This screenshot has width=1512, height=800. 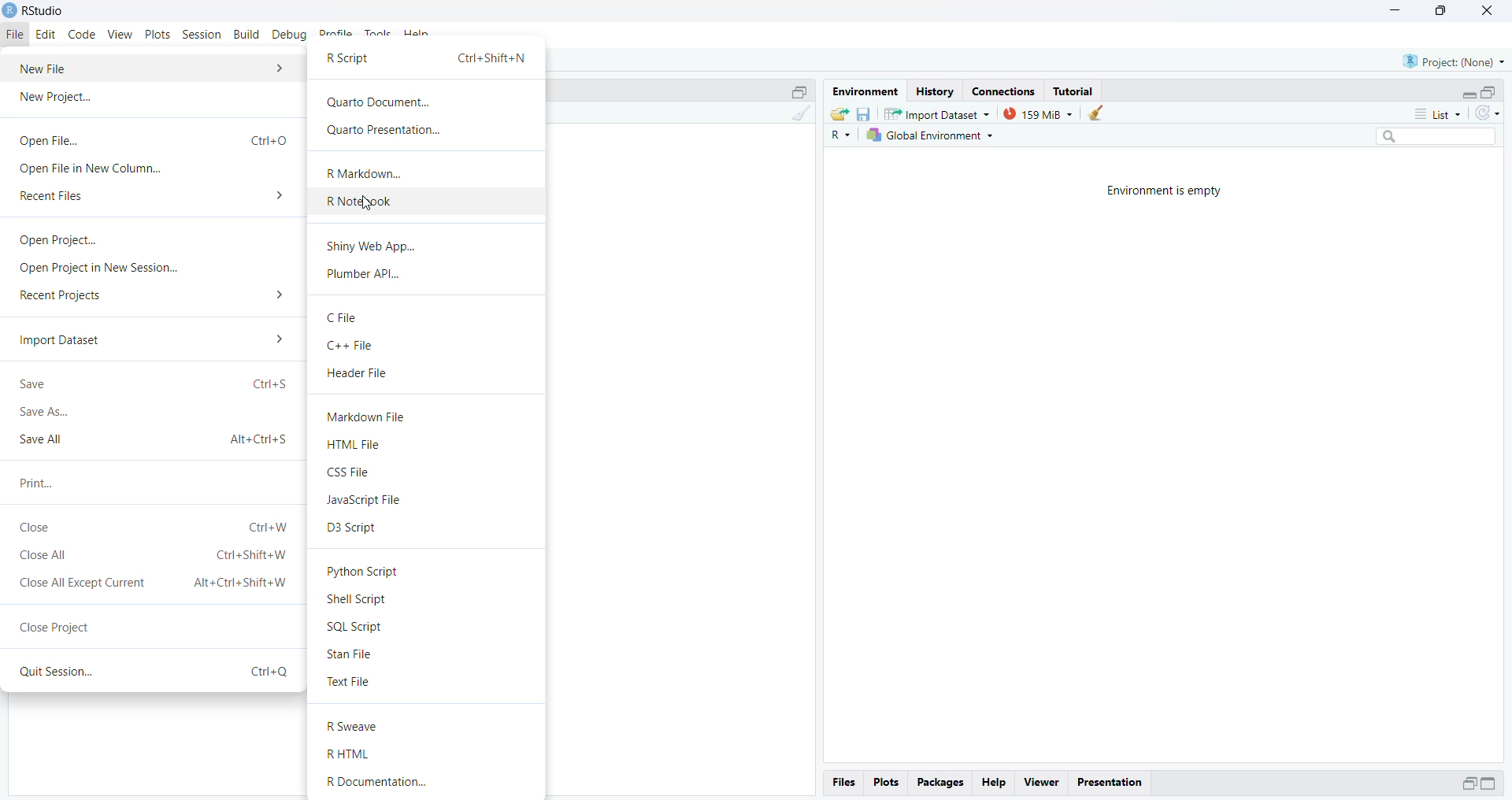 What do you see at coordinates (352, 754) in the screenshot?
I see `RHTML` at bounding box center [352, 754].